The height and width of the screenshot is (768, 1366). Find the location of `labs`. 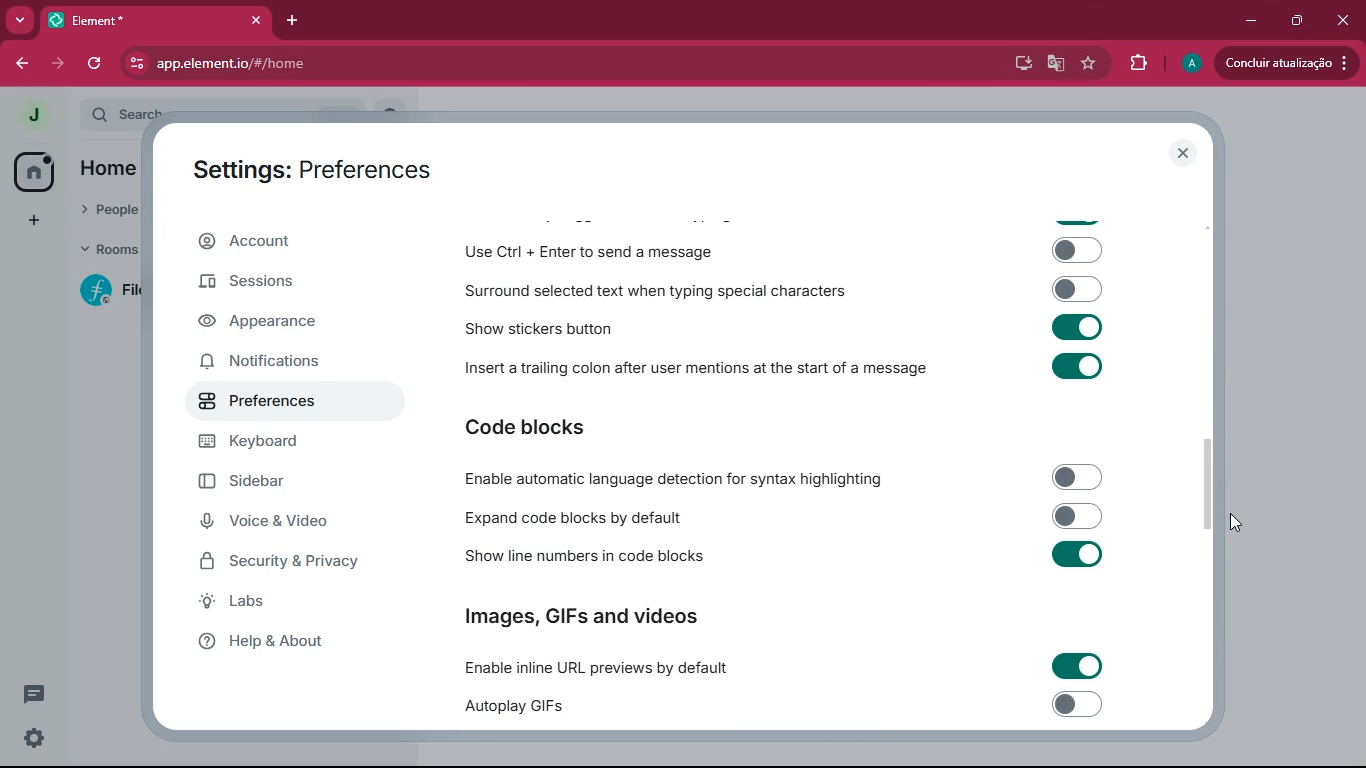

labs is located at coordinates (276, 602).